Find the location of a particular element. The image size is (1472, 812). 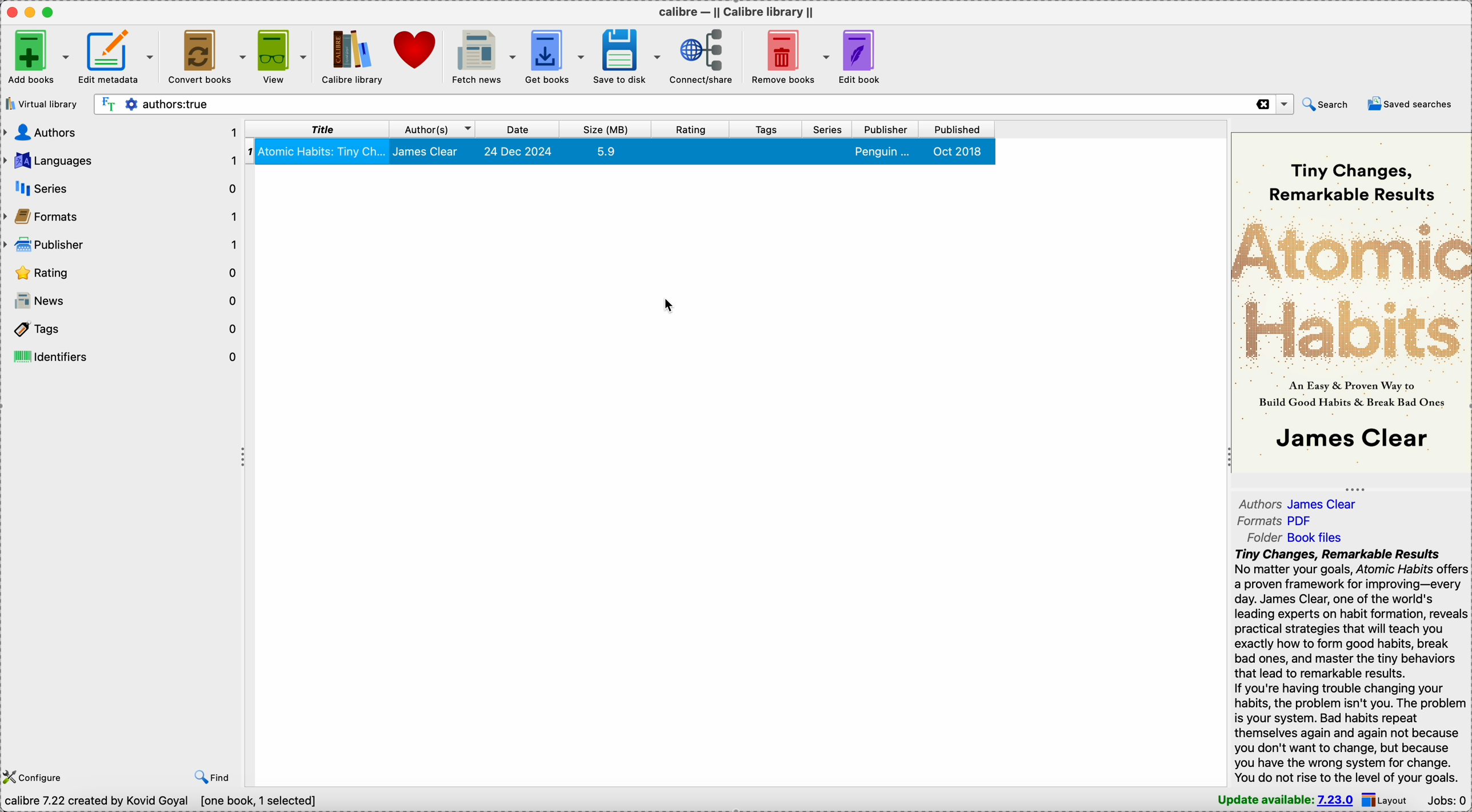

convert books is located at coordinates (208, 57).